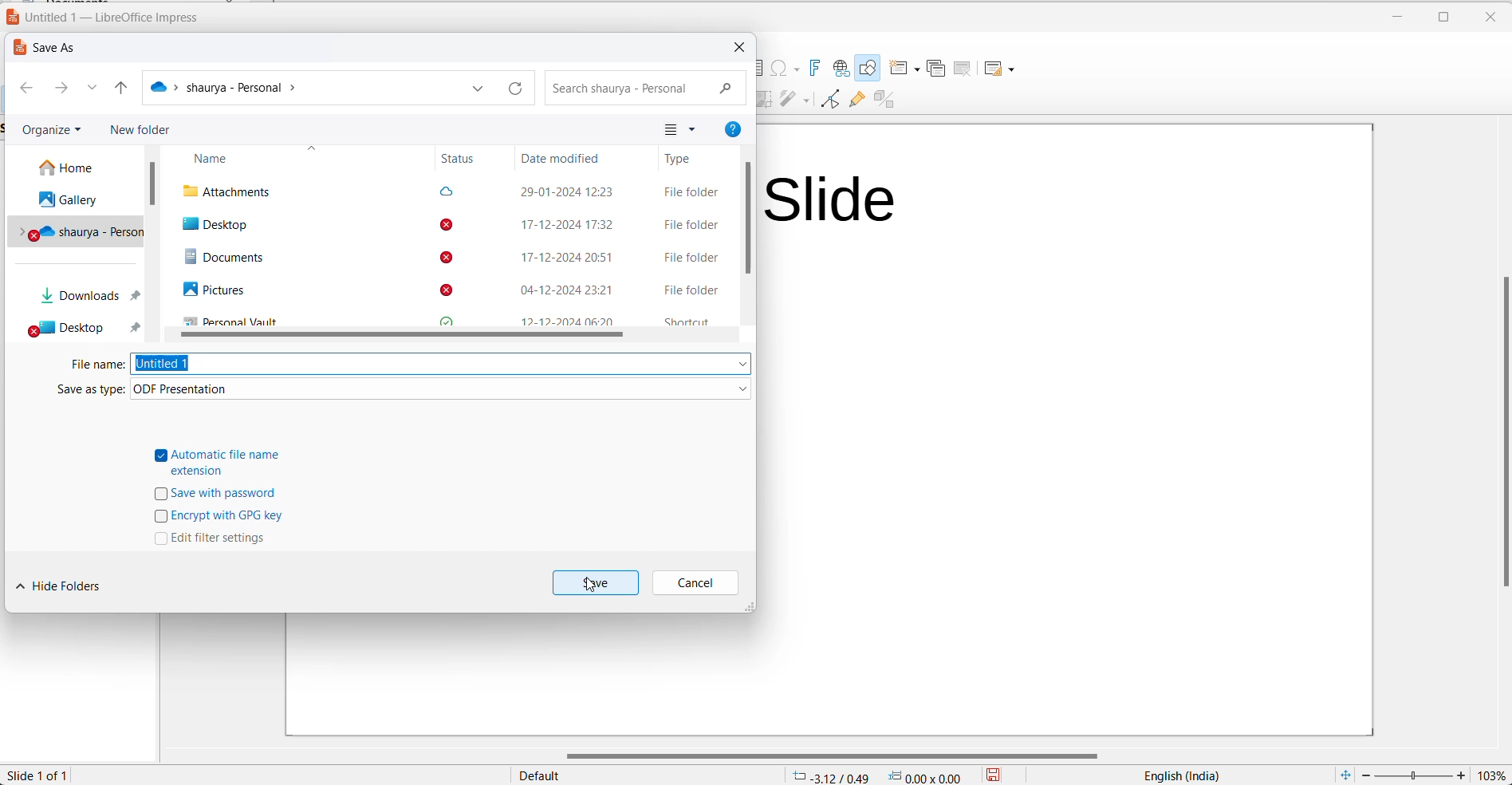 The width and height of the screenshot is (1512, 785). Describe the element at coordinates (591, 588) in the screenshot. I see `CURSOR` at that location.